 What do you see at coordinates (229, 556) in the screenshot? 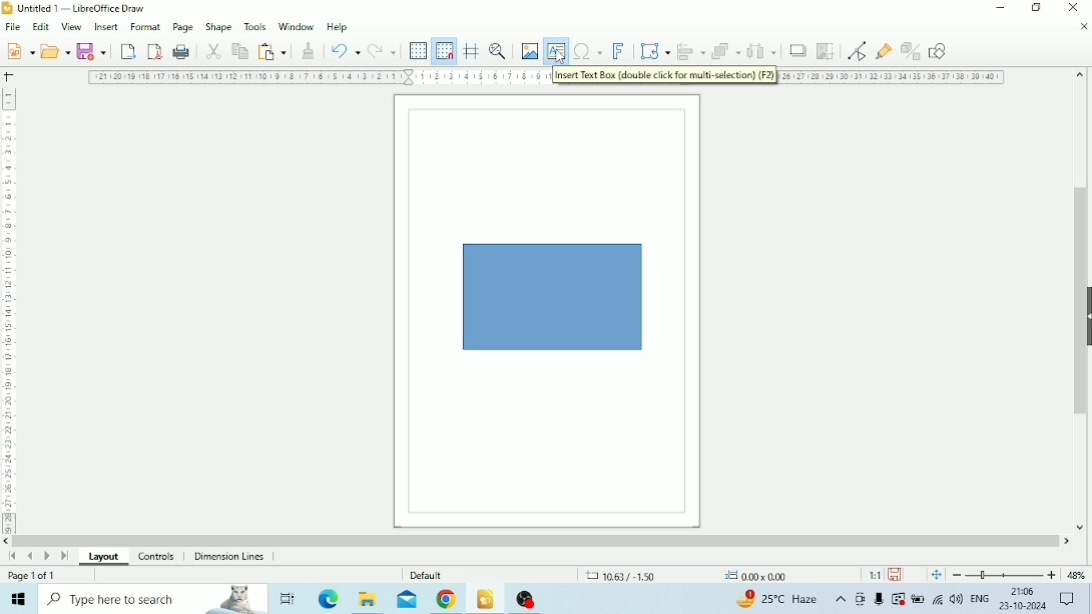
I see `Dimension Lines` at bounding box center [229, 556].